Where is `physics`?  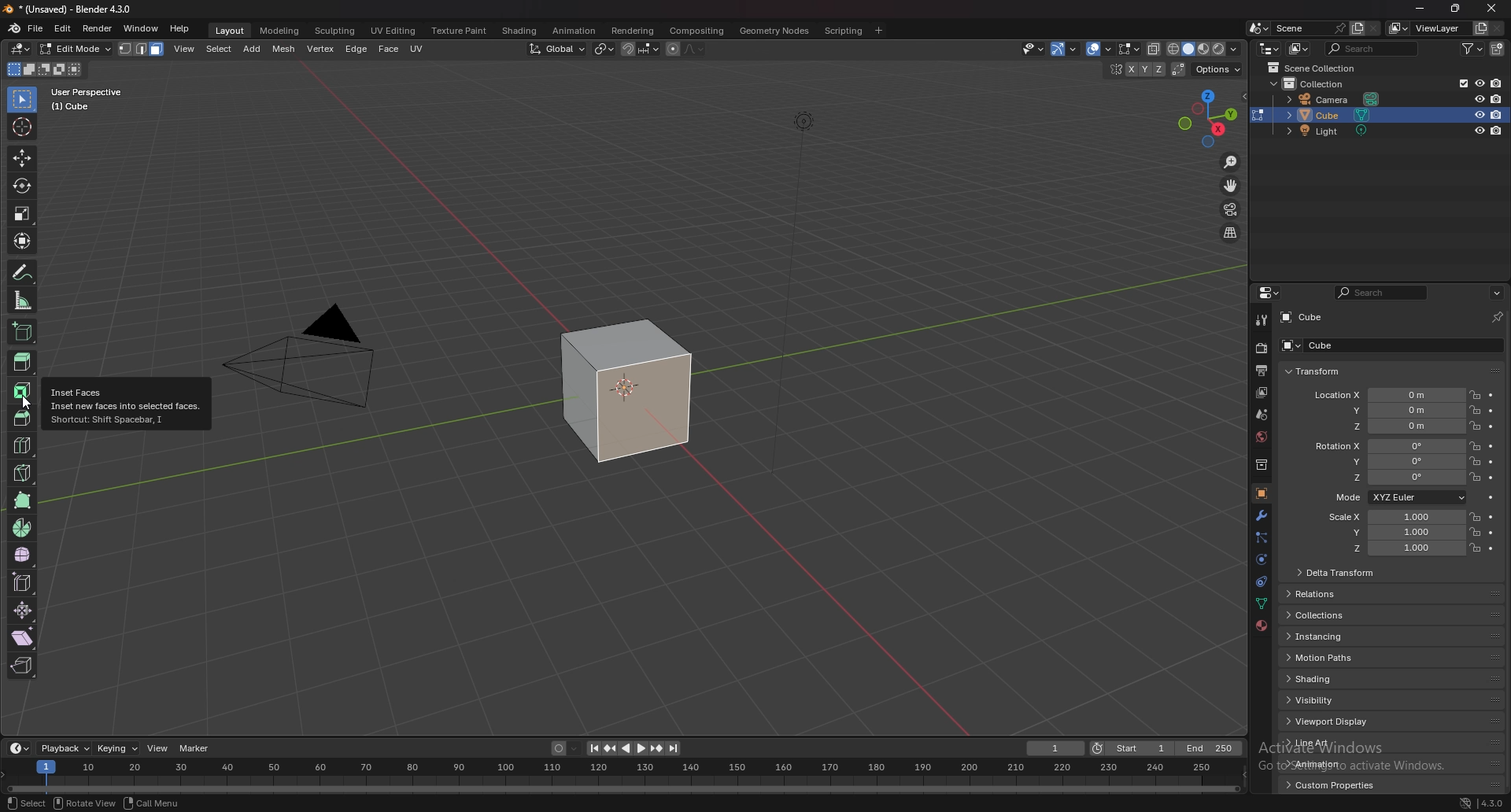 physics is located at coordinates (1260, 583).